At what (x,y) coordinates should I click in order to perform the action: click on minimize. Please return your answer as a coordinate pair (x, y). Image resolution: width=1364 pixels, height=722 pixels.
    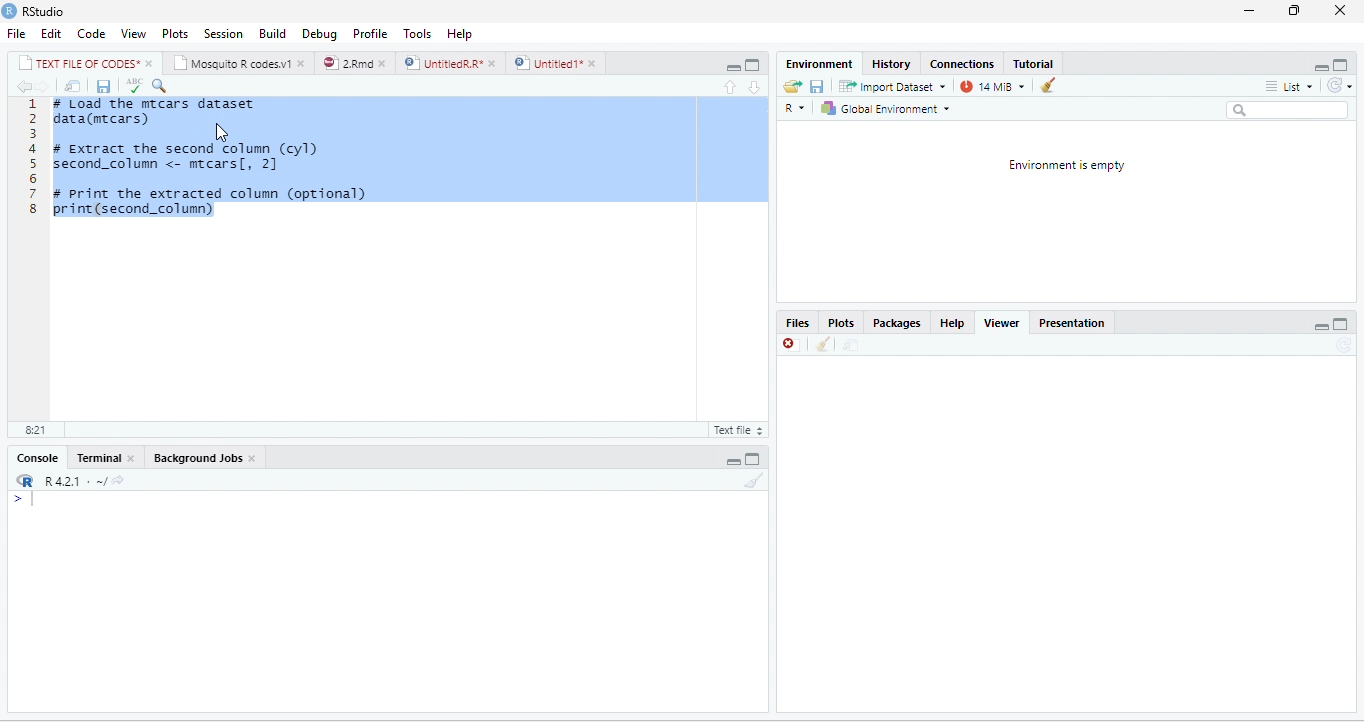
    Looking at the image, I should click on (1250, 13).